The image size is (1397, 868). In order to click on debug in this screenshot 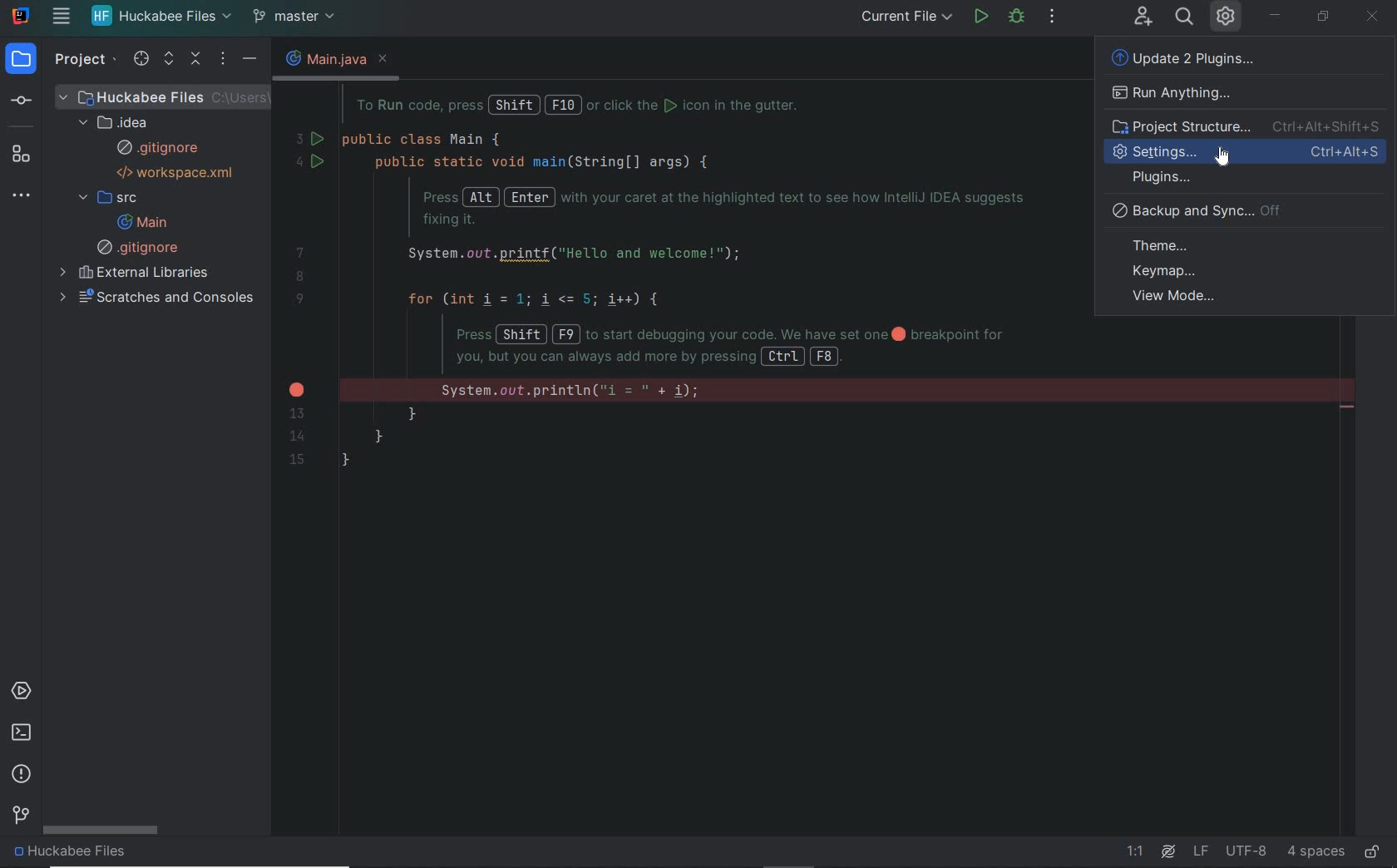, I will do `click(1017, 18)`.